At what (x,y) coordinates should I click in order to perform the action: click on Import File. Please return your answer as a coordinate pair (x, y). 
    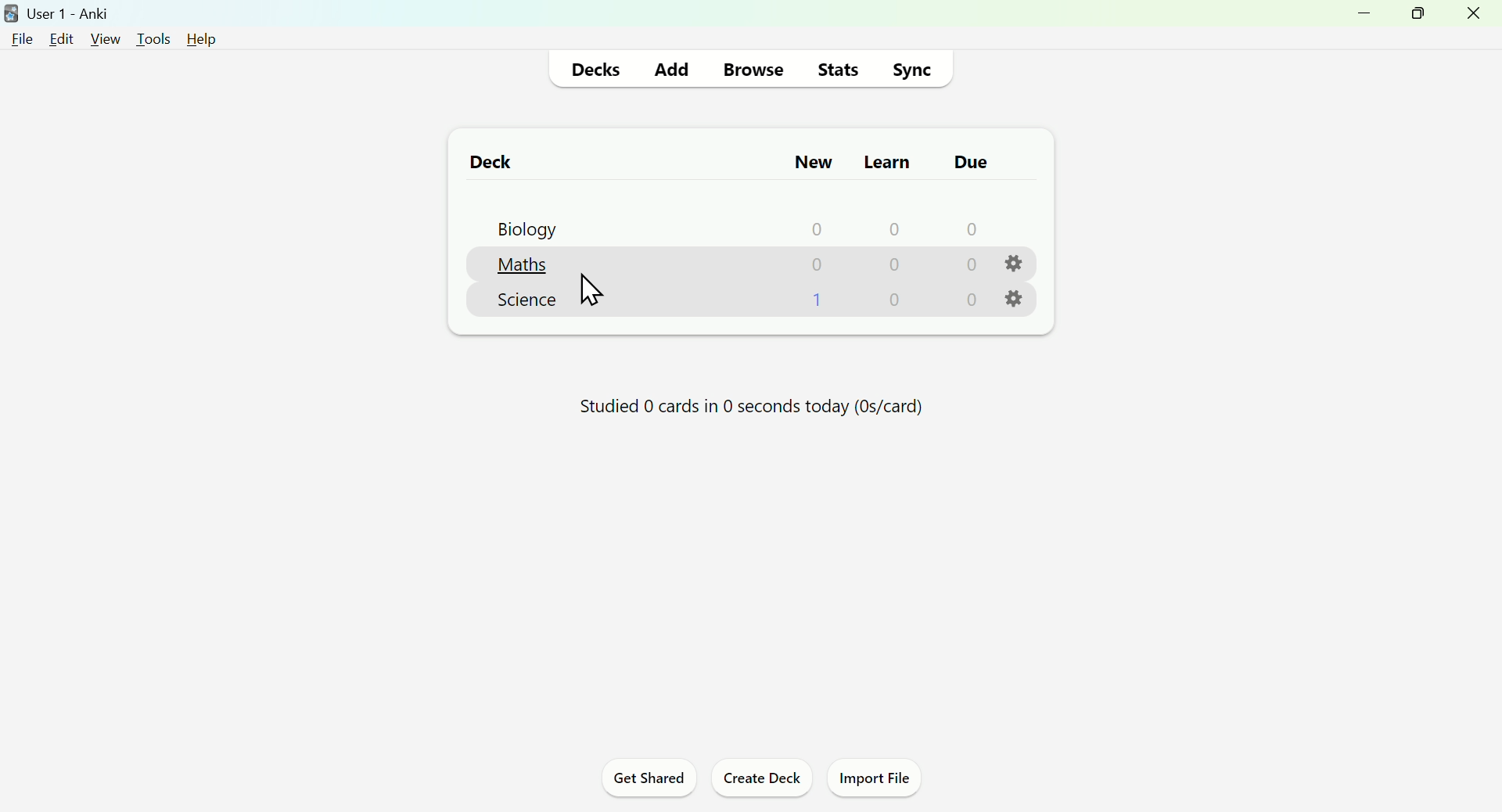
    Looking at the image, I should click on (881, 781).